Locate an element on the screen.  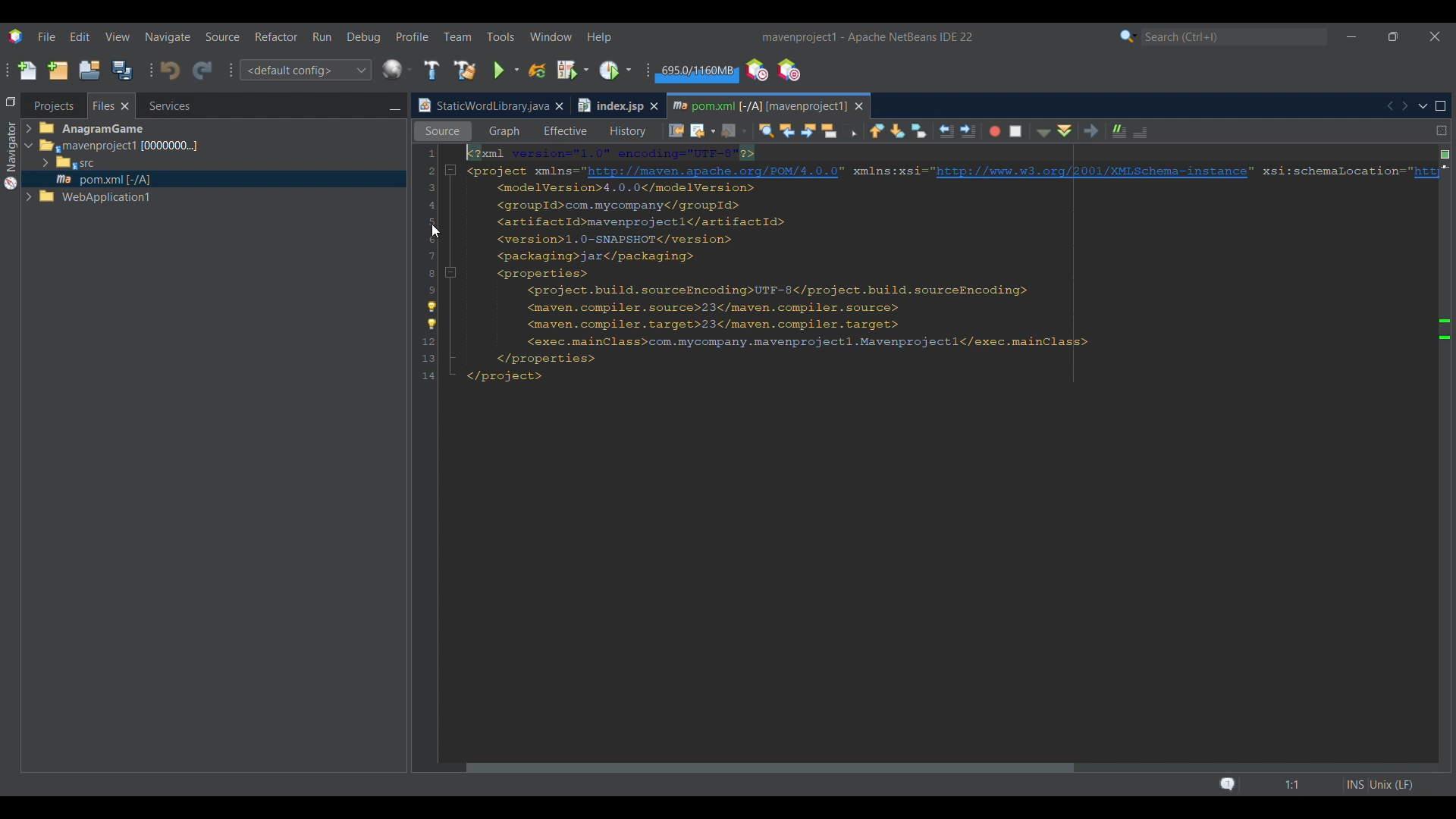
Open project is located at coordinates (89, 70).